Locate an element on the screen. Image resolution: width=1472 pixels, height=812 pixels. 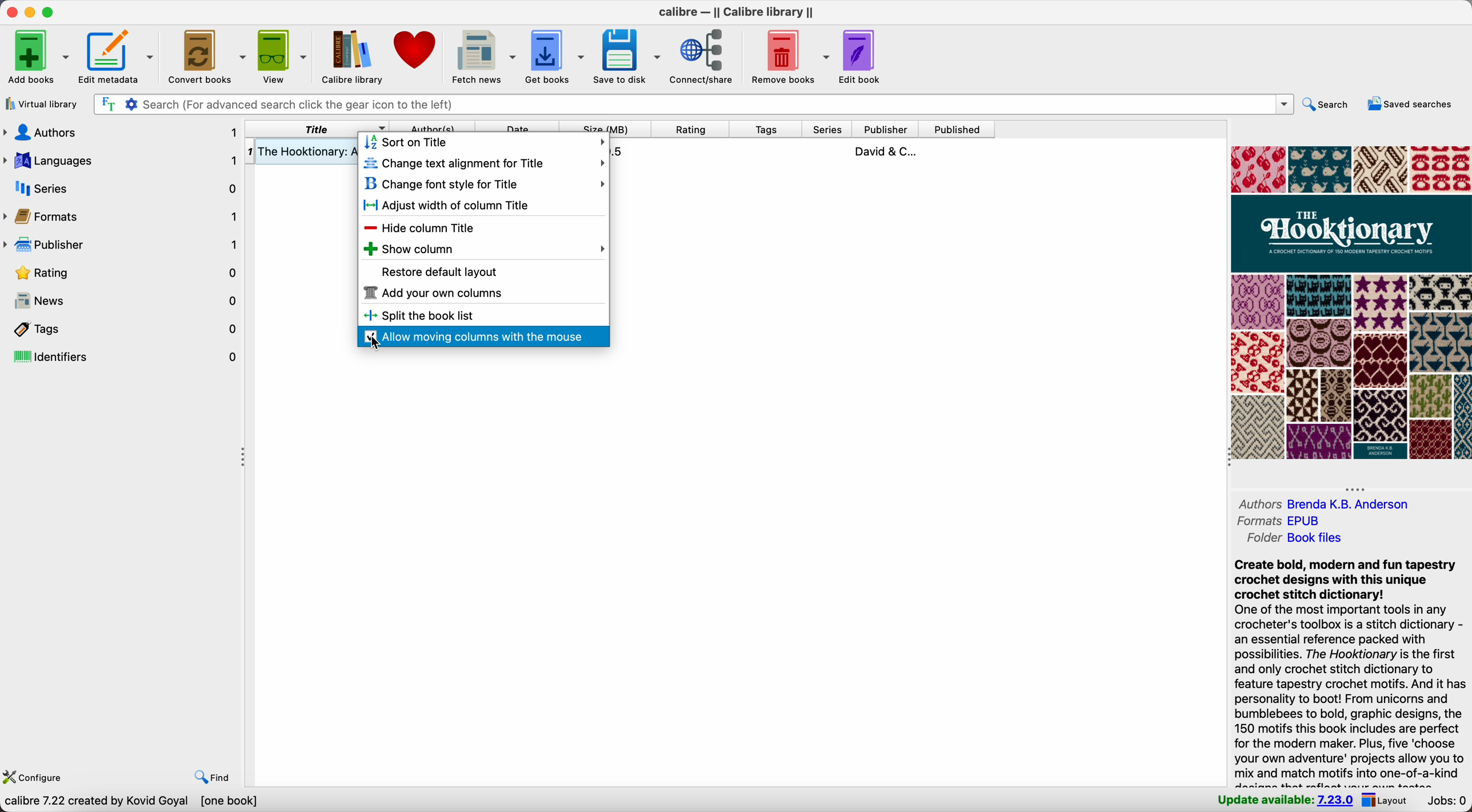
Jobs: 0 is located at coordinates (1446, 801).